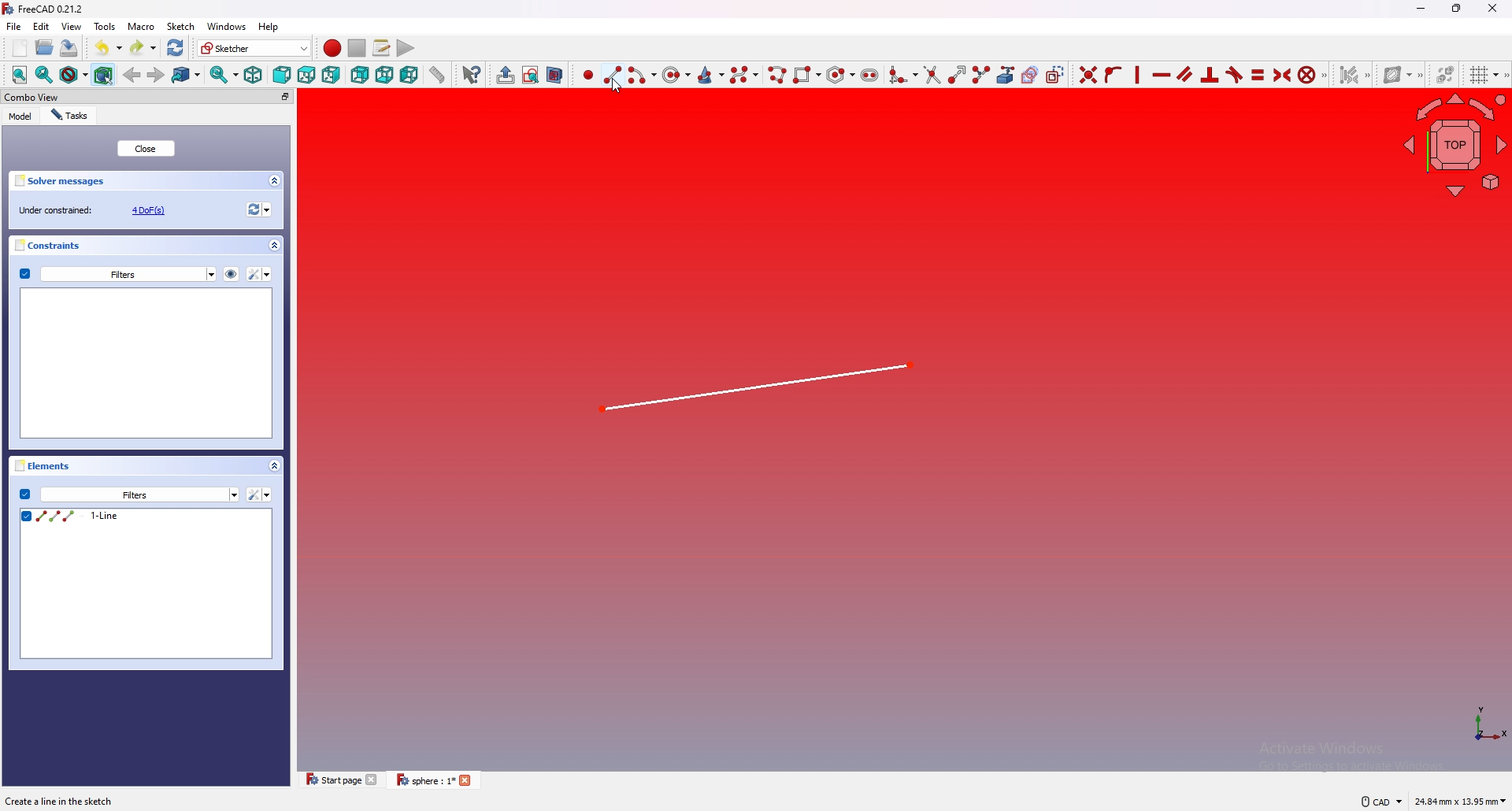 This screenshot has width=1512, height=811. Describe the element at coordinates (306, 75) in the screenshot. I see `Top` at that location.